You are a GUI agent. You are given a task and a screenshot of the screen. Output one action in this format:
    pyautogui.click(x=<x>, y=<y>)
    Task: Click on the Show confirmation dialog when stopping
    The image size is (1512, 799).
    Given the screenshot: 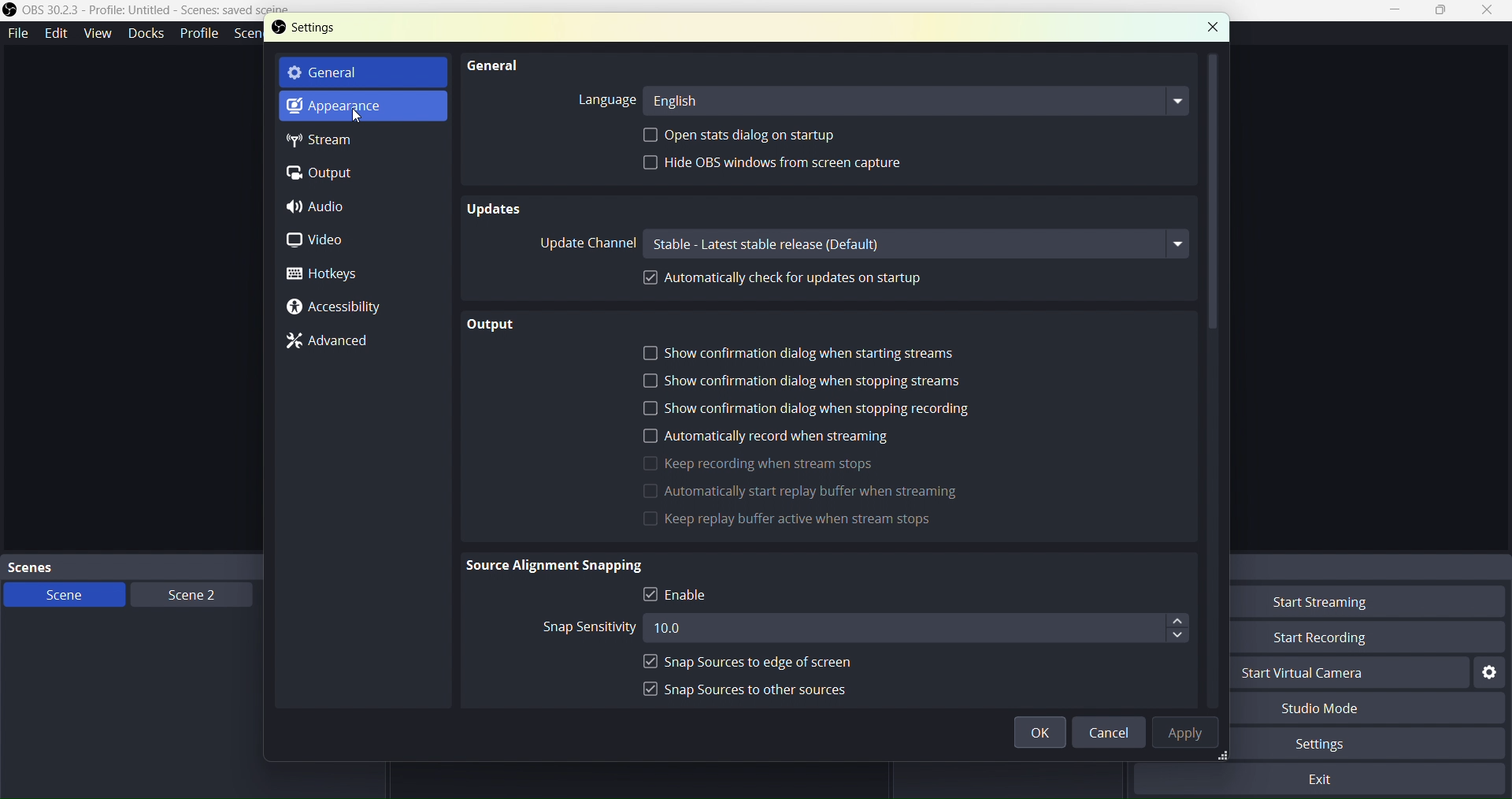 What is the action you would take?
    pyautogui.click(x=799, y=379)
    